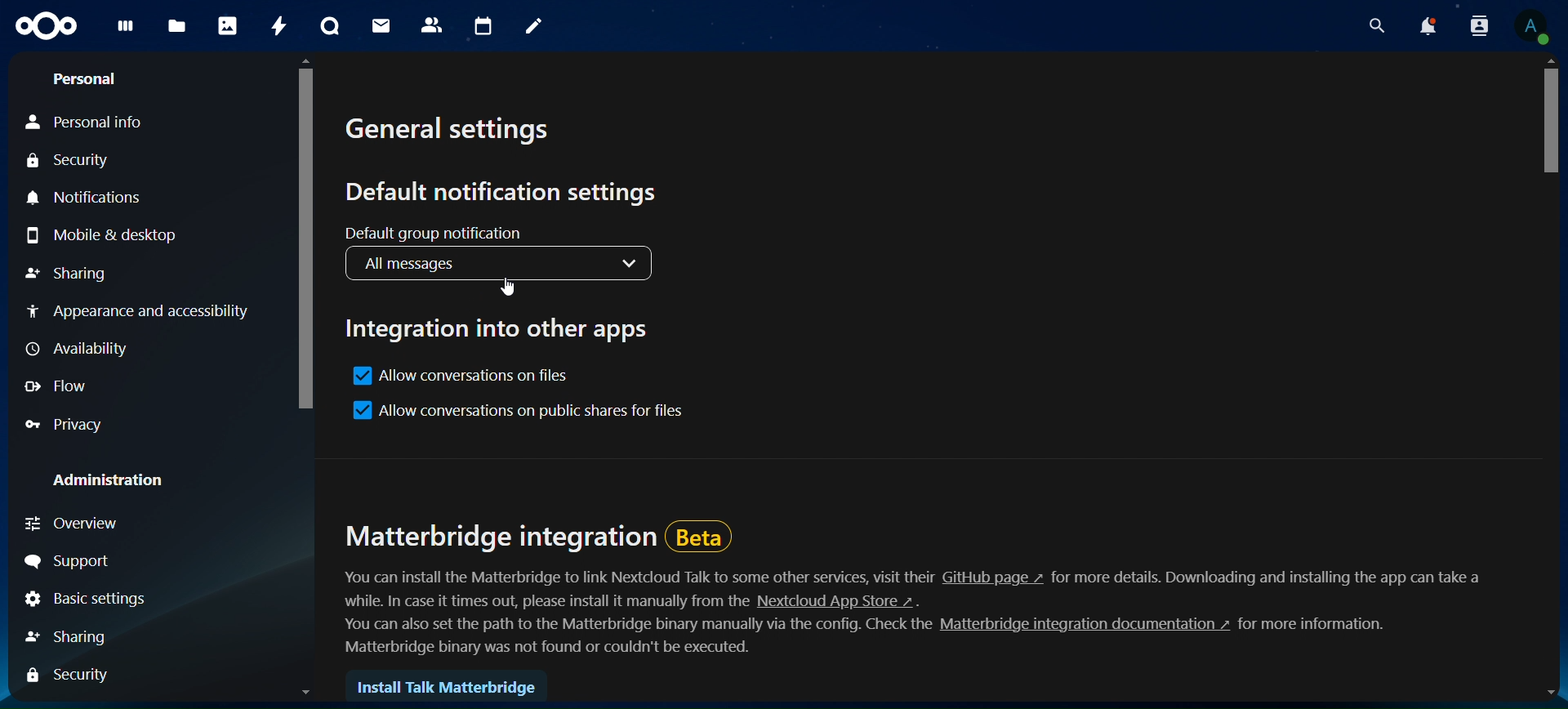 The width and height of the screenshot is (1568, 709). I want to click on search contacts, so click(1472, 25).